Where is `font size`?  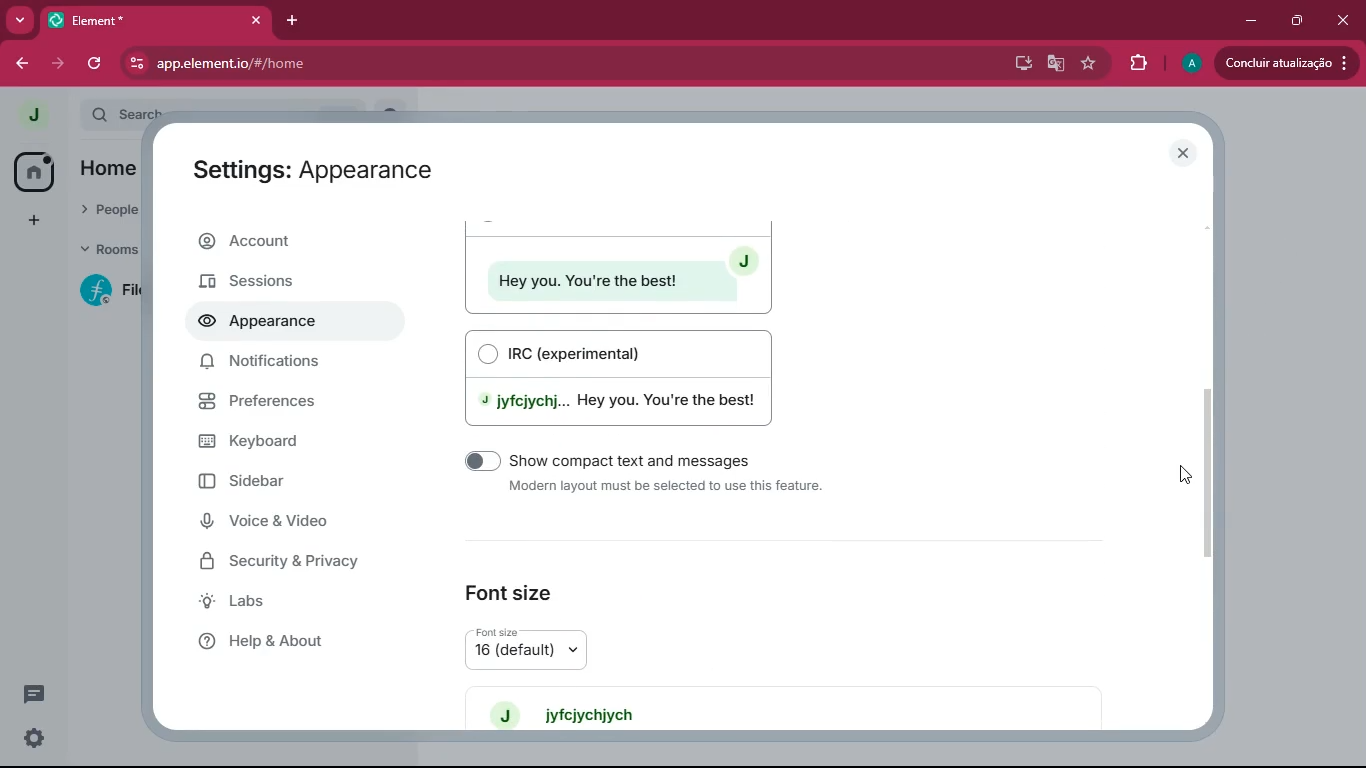
font size is located at coordinates (548, 648).